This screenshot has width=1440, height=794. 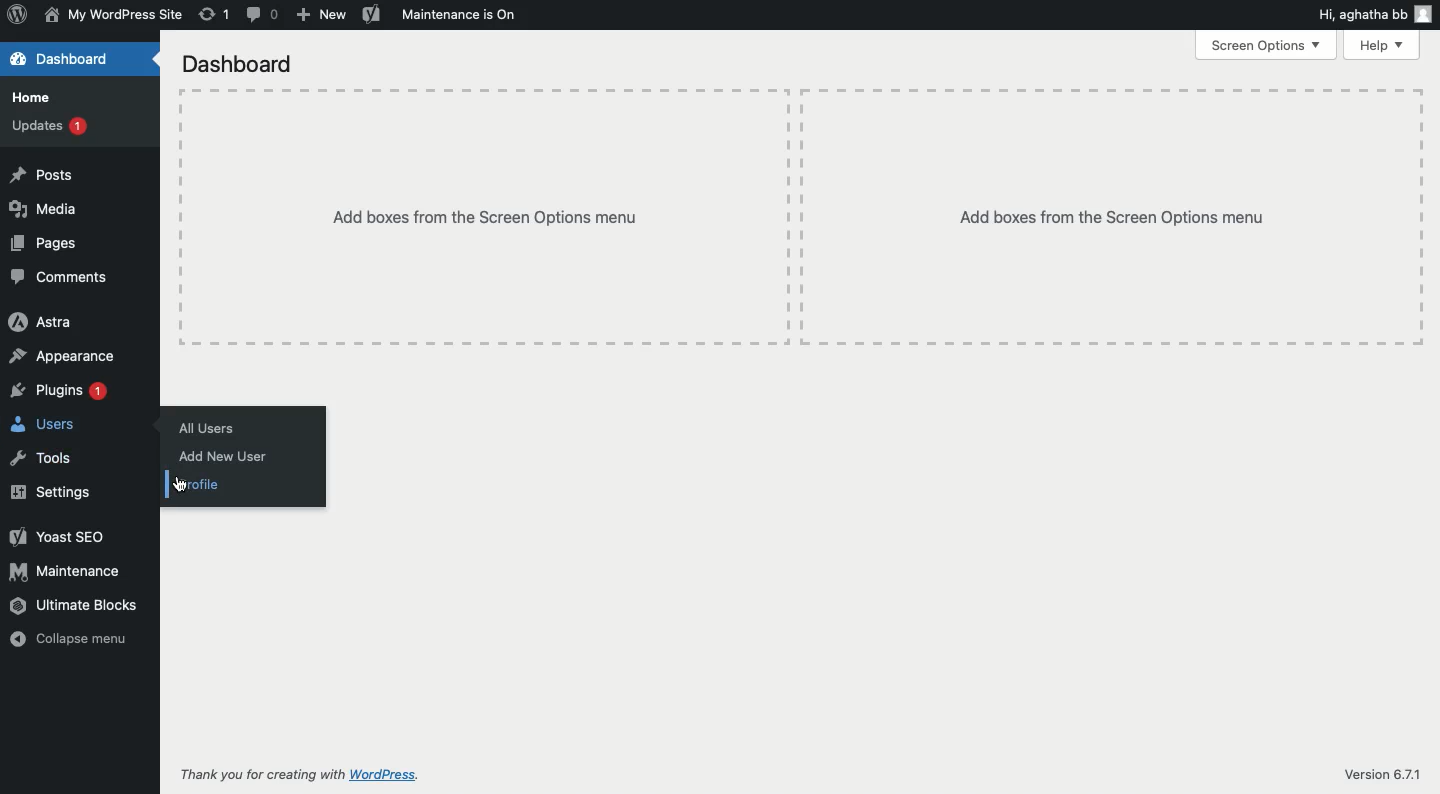 What do you see at coordinates (18, 17) in the screenshot?
I see `Logo` at bounding box center [18, 17].